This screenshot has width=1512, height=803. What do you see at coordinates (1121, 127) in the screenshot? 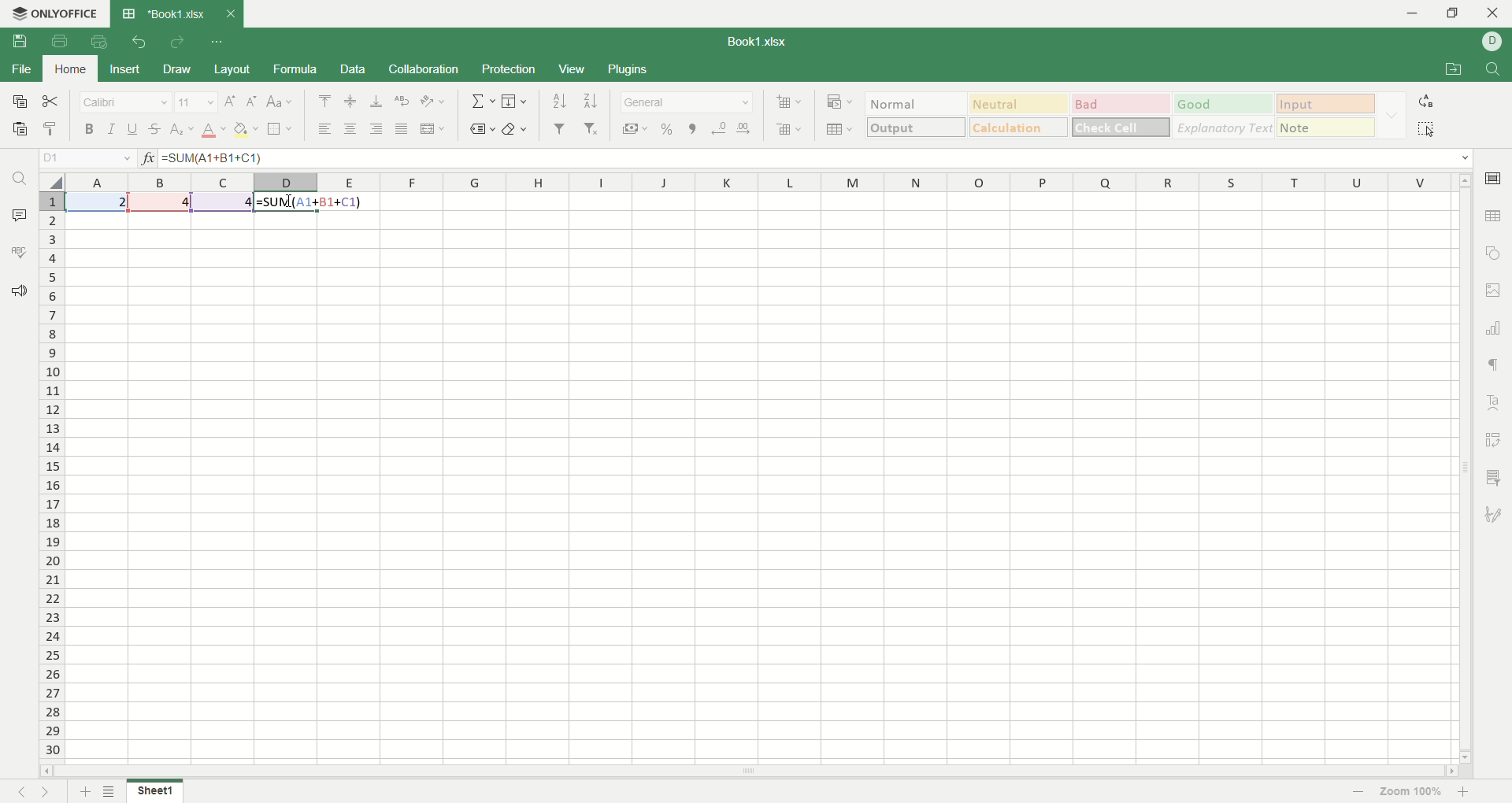
I see `check cell` at bounding box center [1121, 127].